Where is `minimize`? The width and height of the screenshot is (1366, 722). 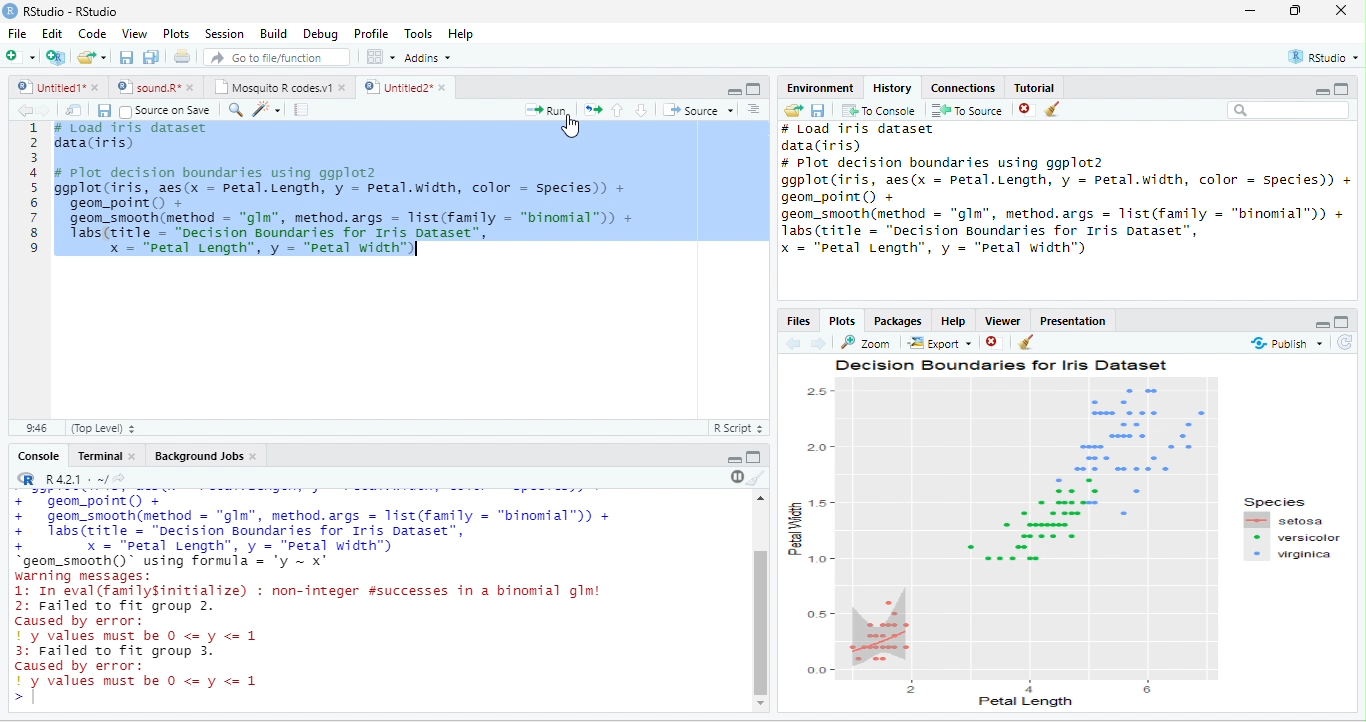 minimize is located at coordinates (1321, 92).